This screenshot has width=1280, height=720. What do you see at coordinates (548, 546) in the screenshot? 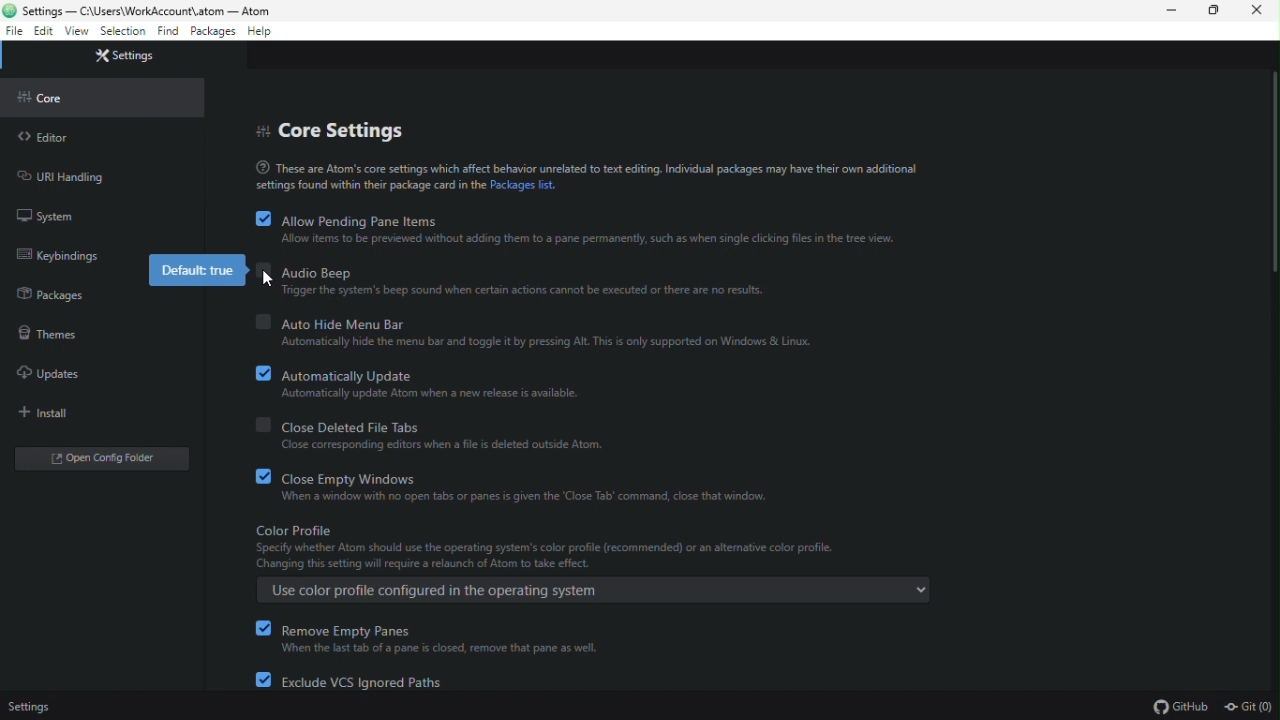
I see `Color profile. Specify whether Atom should use the operating system's color profile (recommended) or an altemative color profile.Changing this setting will require a relaunch of Atom to take effect.` at bounding box center [548, 546].